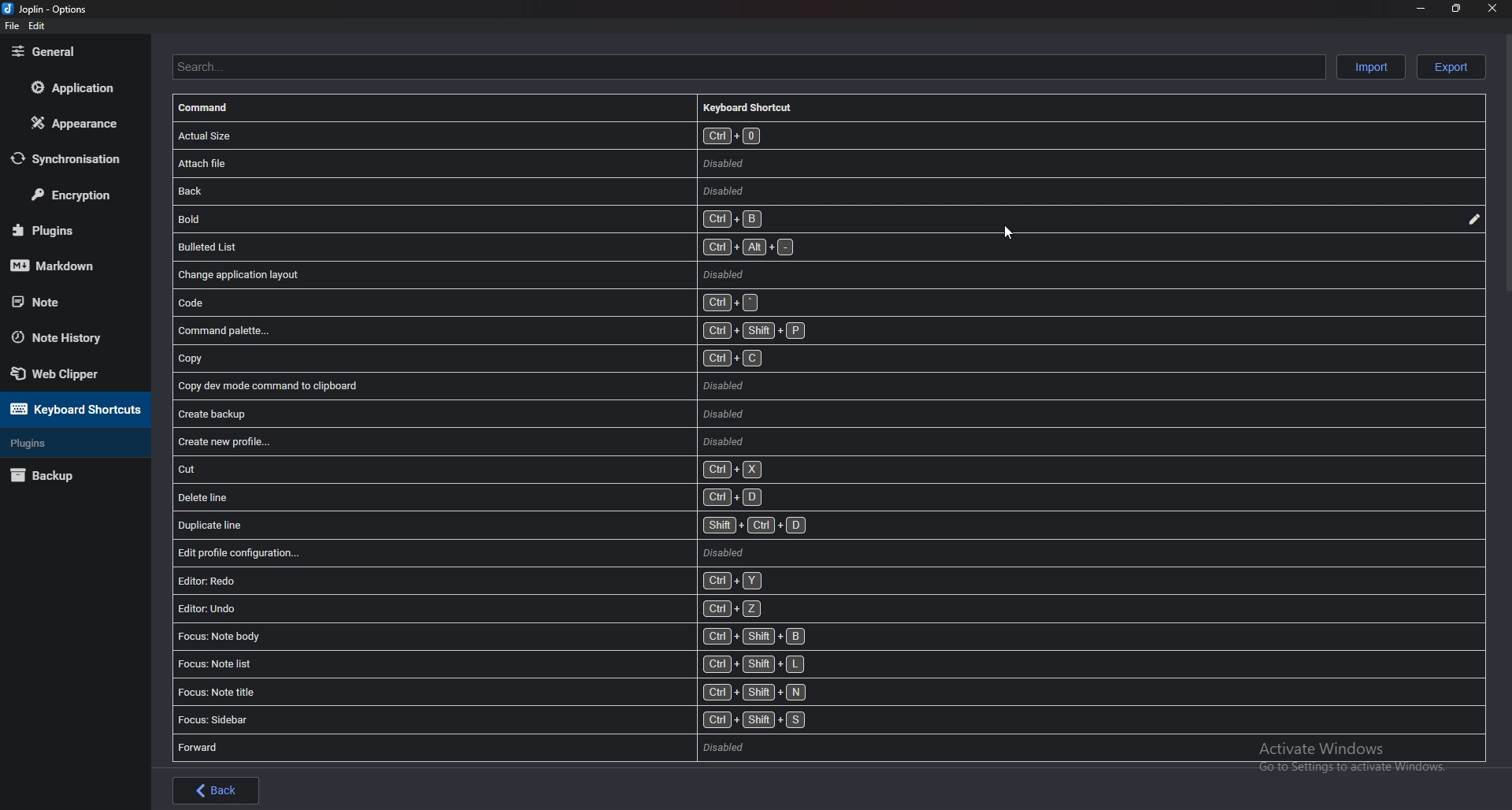 The height and width of the screenshot is (810, 1512). I want to click on Note history, so click(71, 338).